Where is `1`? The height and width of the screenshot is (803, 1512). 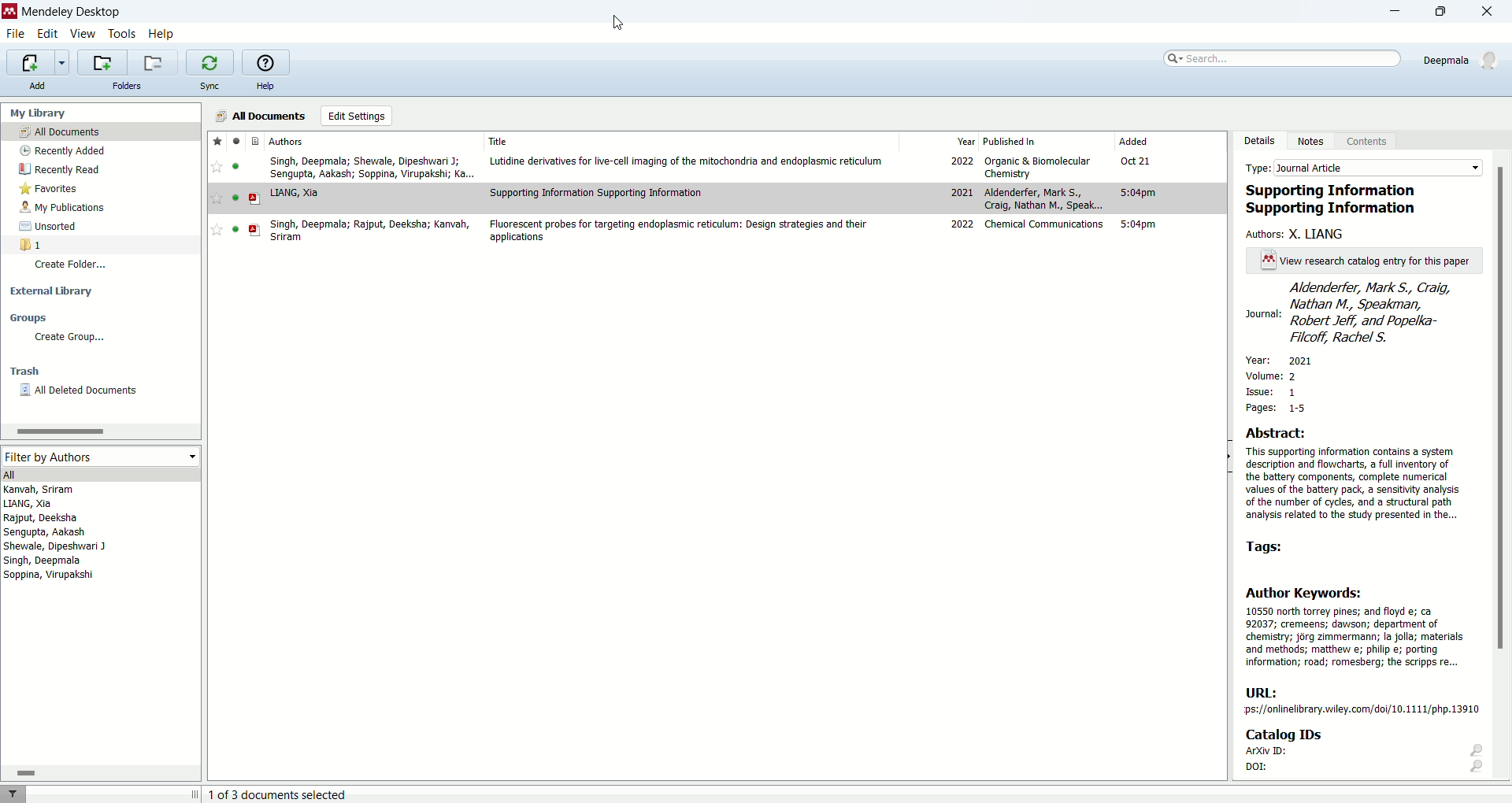
1 is located at coordinates (31, 244).